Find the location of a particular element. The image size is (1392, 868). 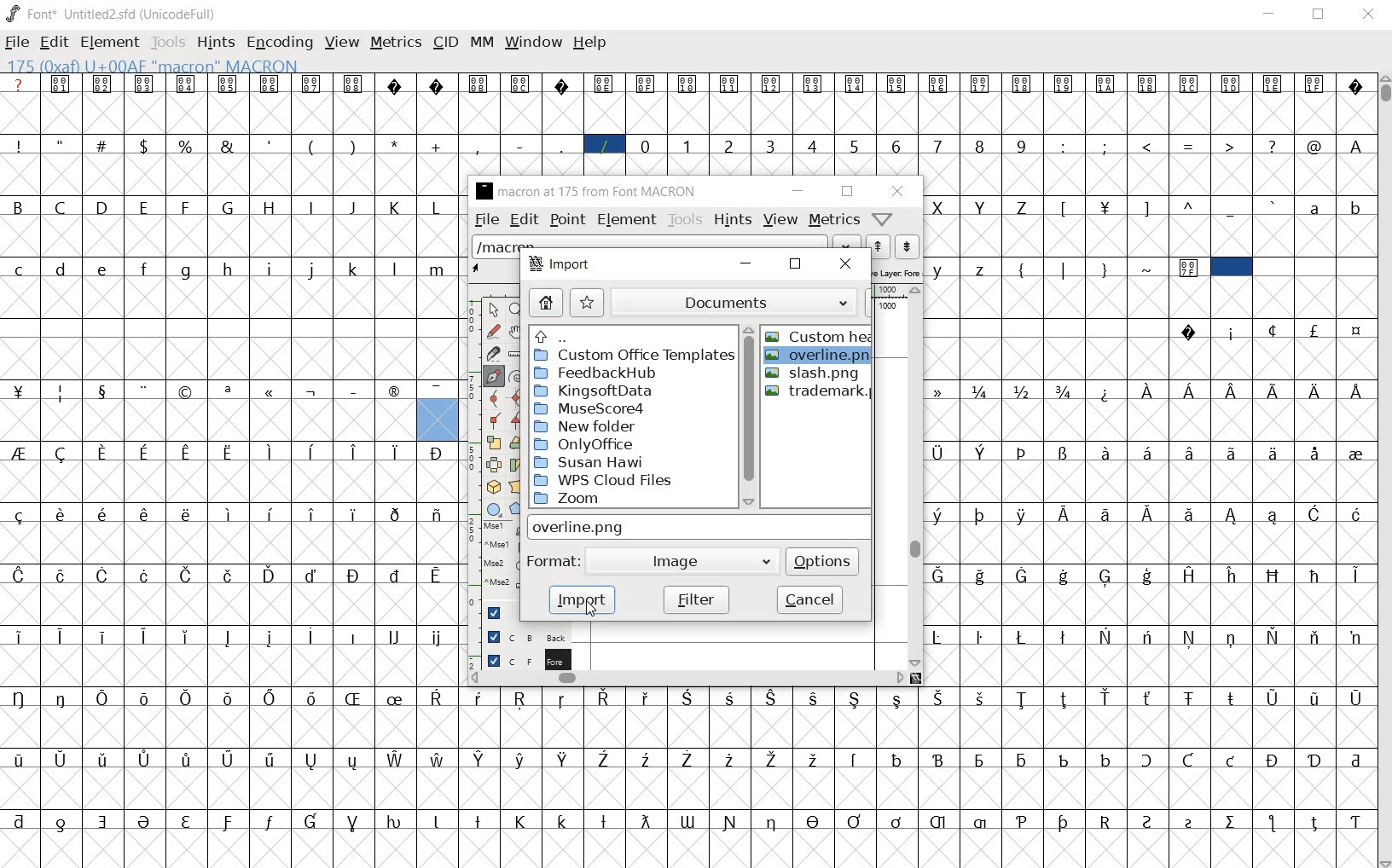

128(0X80) U +0080 " uni0080" Latin-1 Supplement is located at coordinates (192, 64).